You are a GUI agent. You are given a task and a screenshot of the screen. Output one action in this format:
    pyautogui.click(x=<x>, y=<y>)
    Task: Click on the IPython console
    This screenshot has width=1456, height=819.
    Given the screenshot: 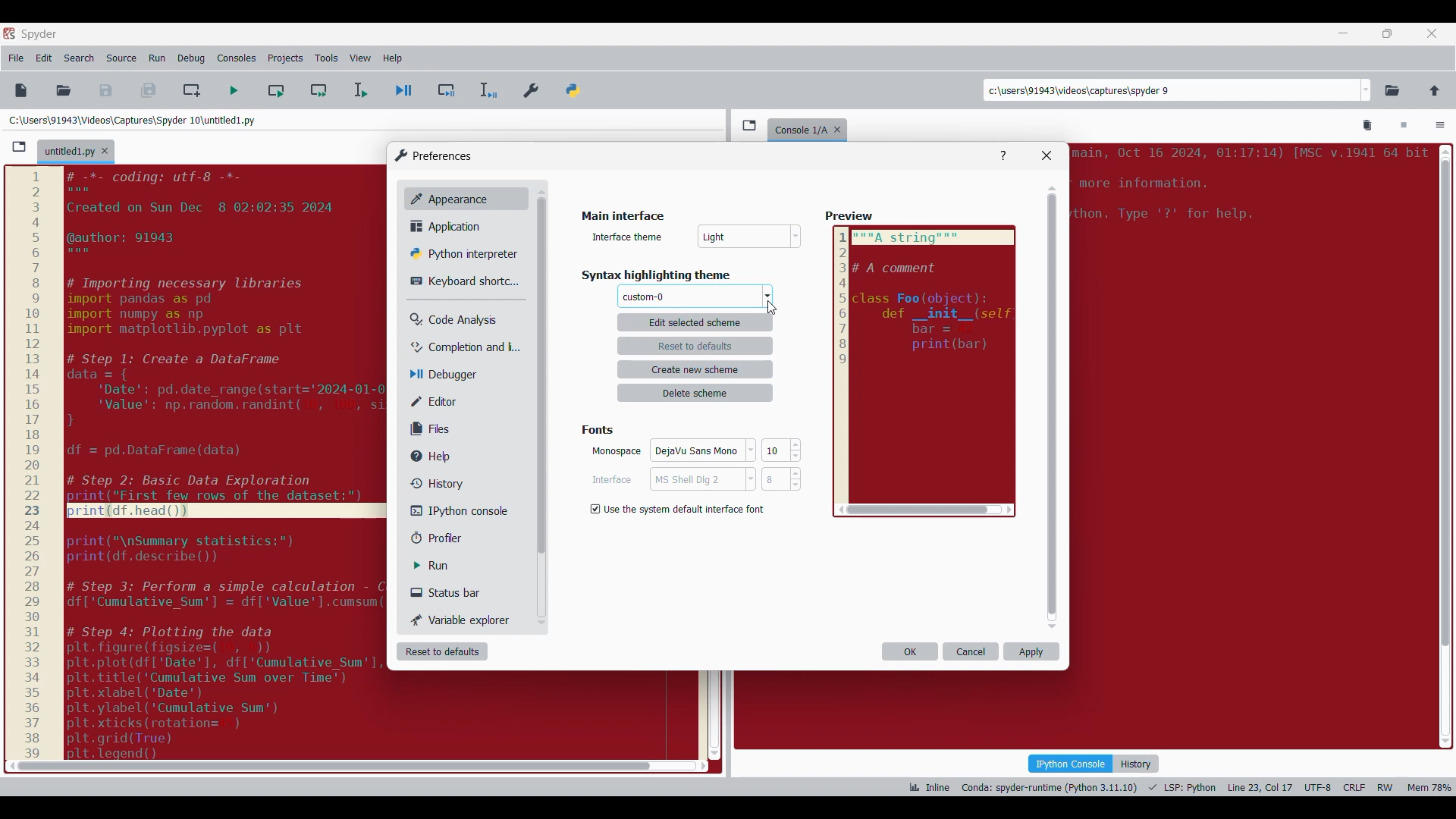 What is the action you would take?
    pyautogui.click(x=1070, y=763)
    